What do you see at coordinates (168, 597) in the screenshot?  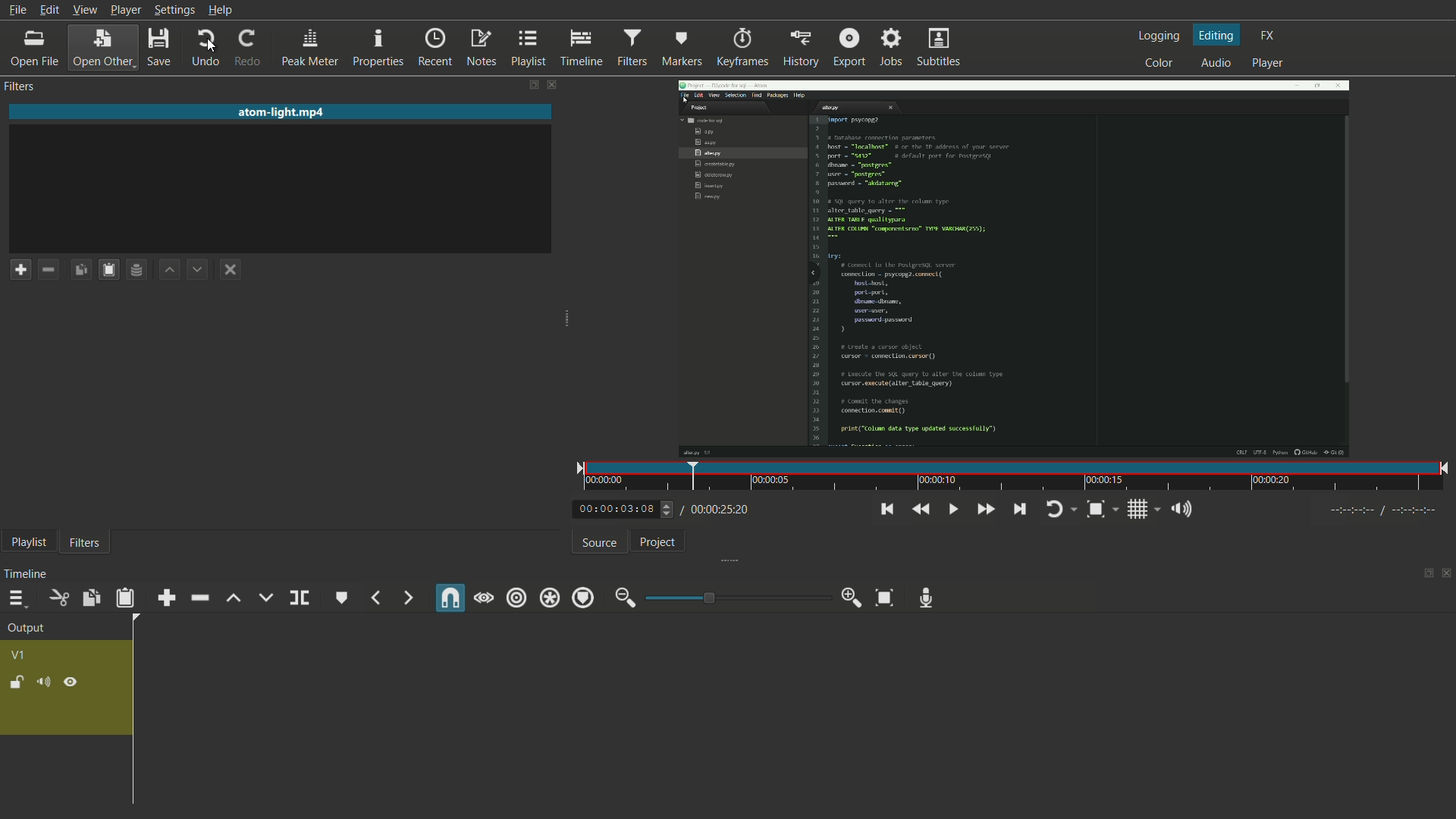 I see `append` at bounding box center [168, 597].